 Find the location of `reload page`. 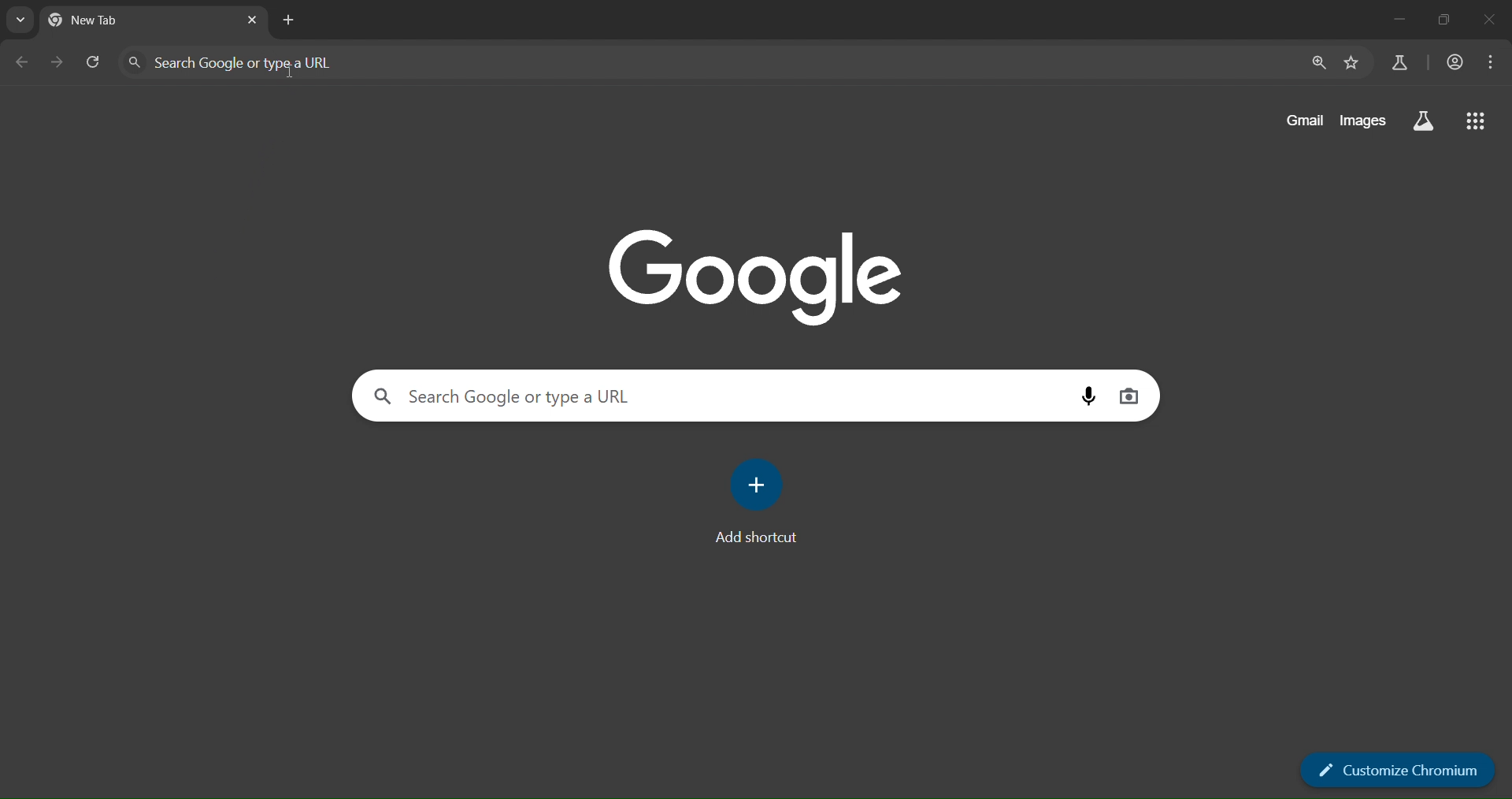

reload page is located at coordinates (94, 63).